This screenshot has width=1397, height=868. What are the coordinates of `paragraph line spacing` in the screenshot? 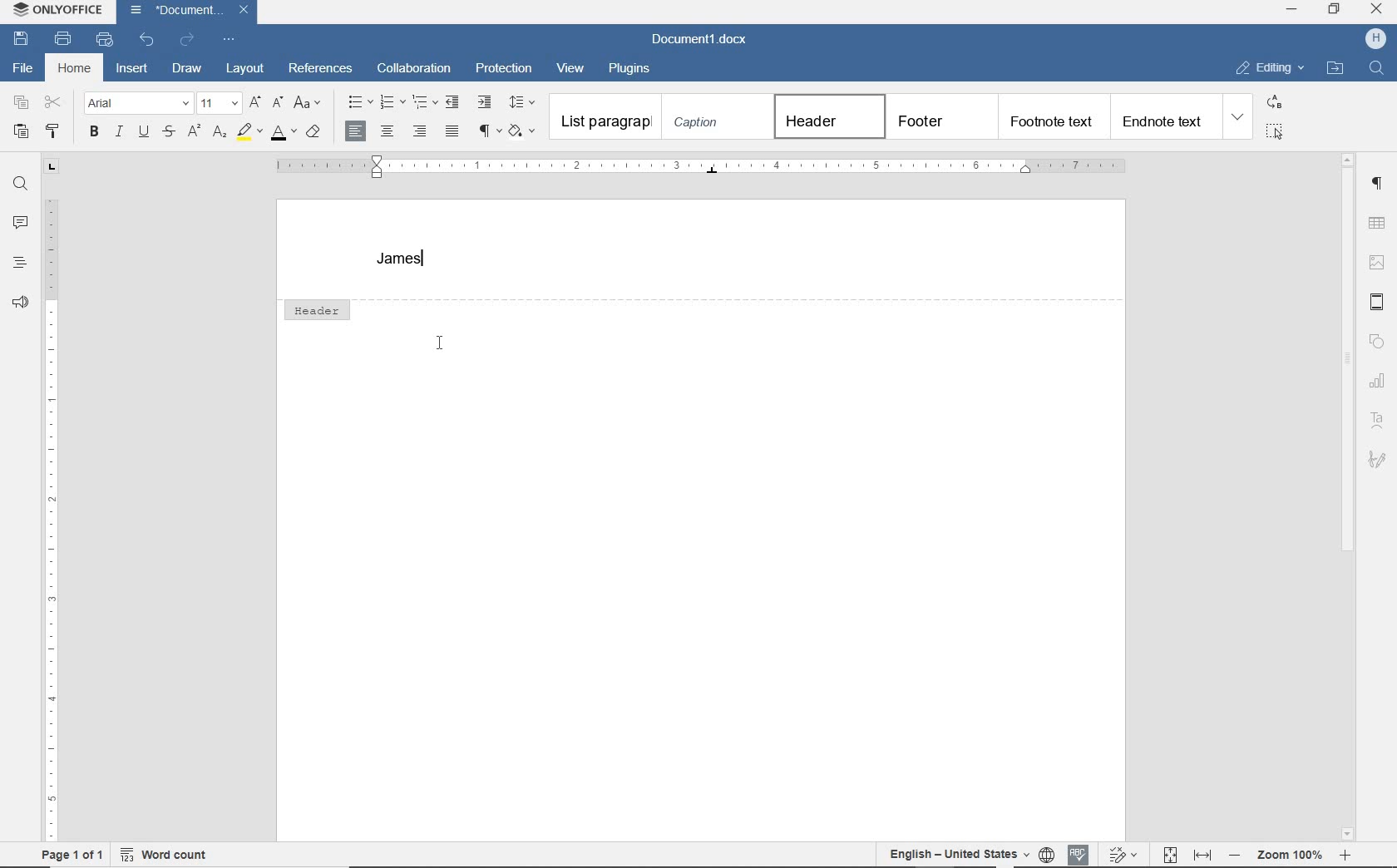 It's located at (525, 102).